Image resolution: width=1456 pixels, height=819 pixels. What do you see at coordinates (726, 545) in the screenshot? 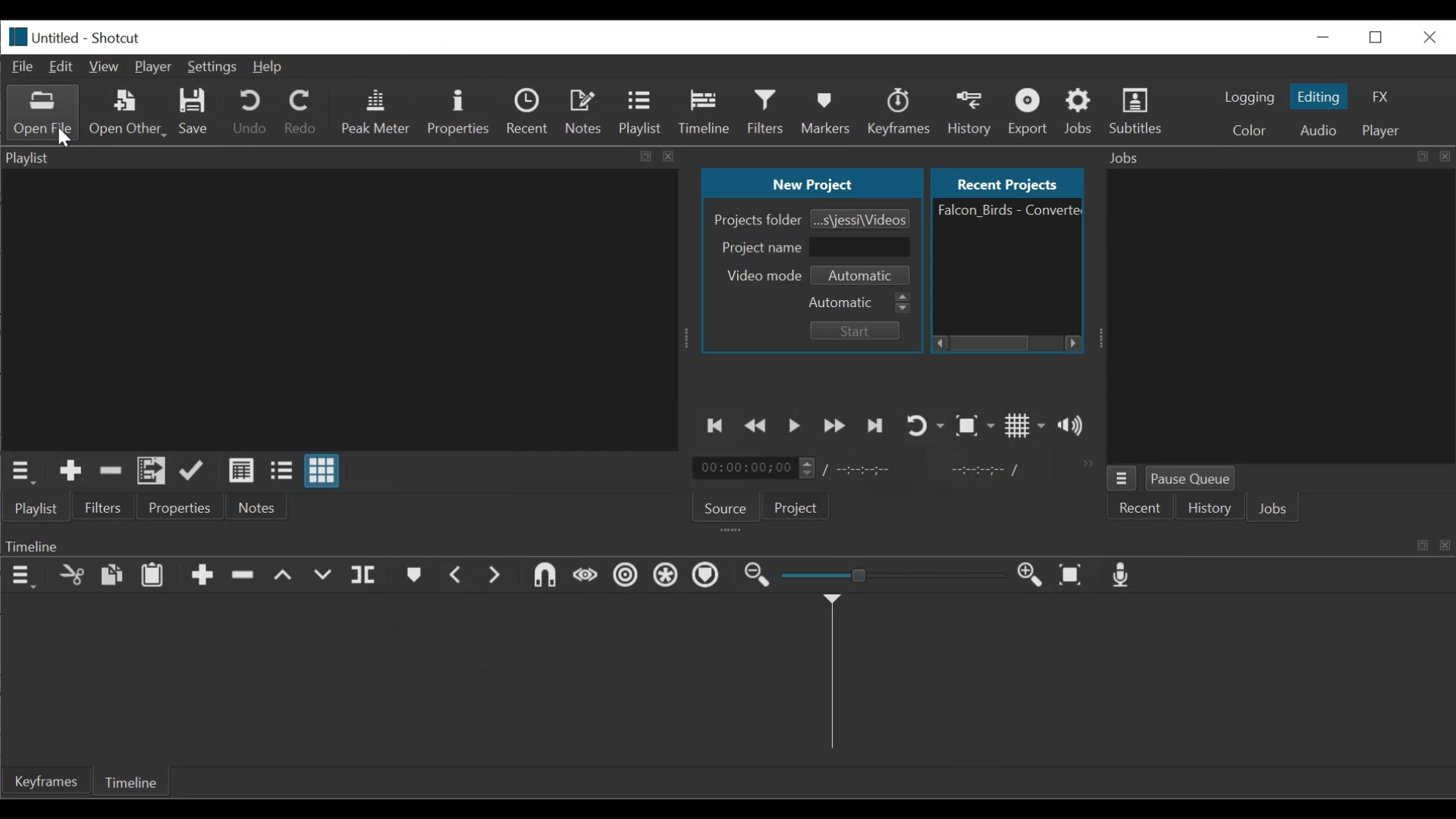
I see `Timeline Panel` at bounding box center [726, 545].